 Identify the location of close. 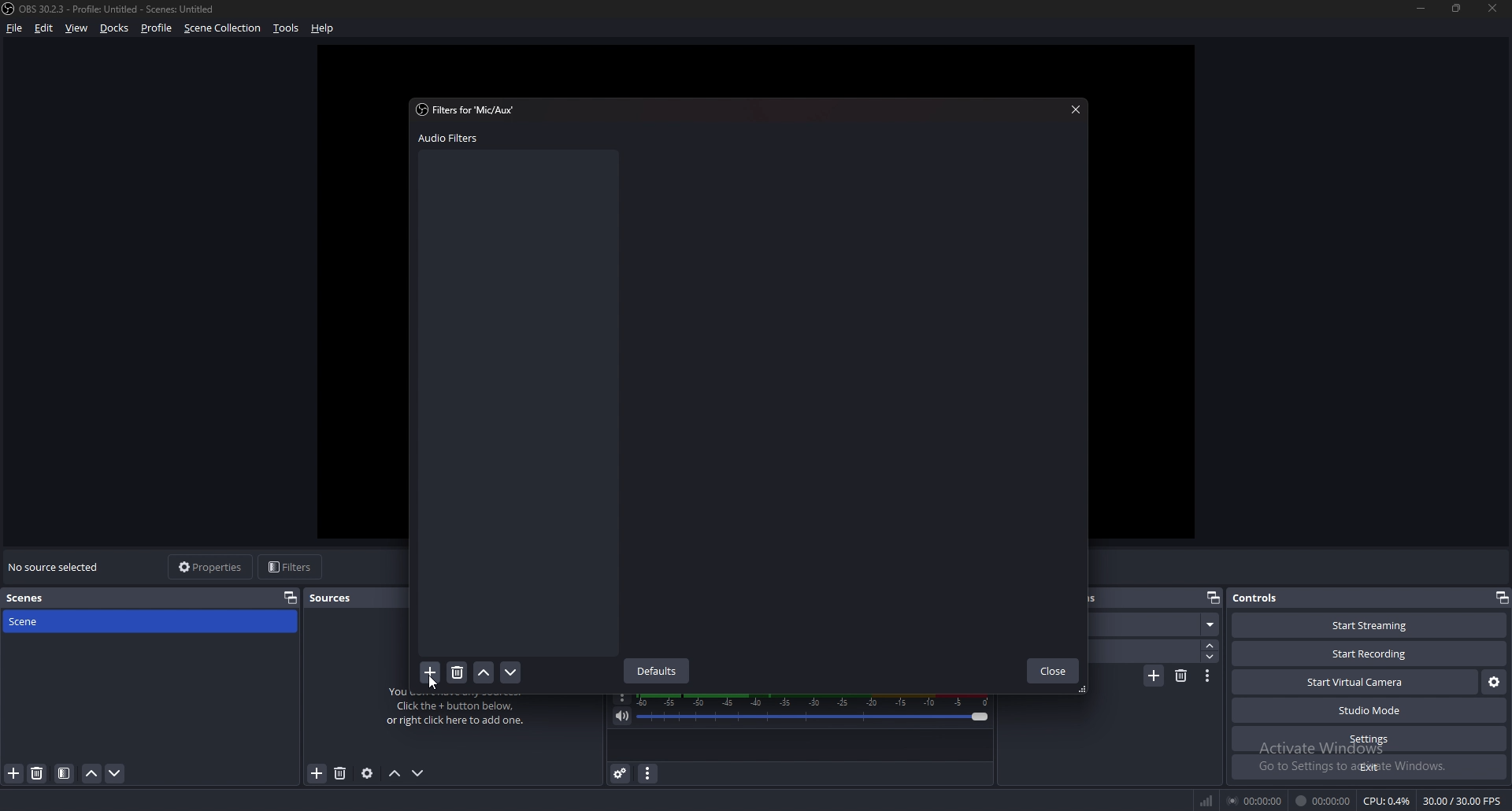
(1073, 110).